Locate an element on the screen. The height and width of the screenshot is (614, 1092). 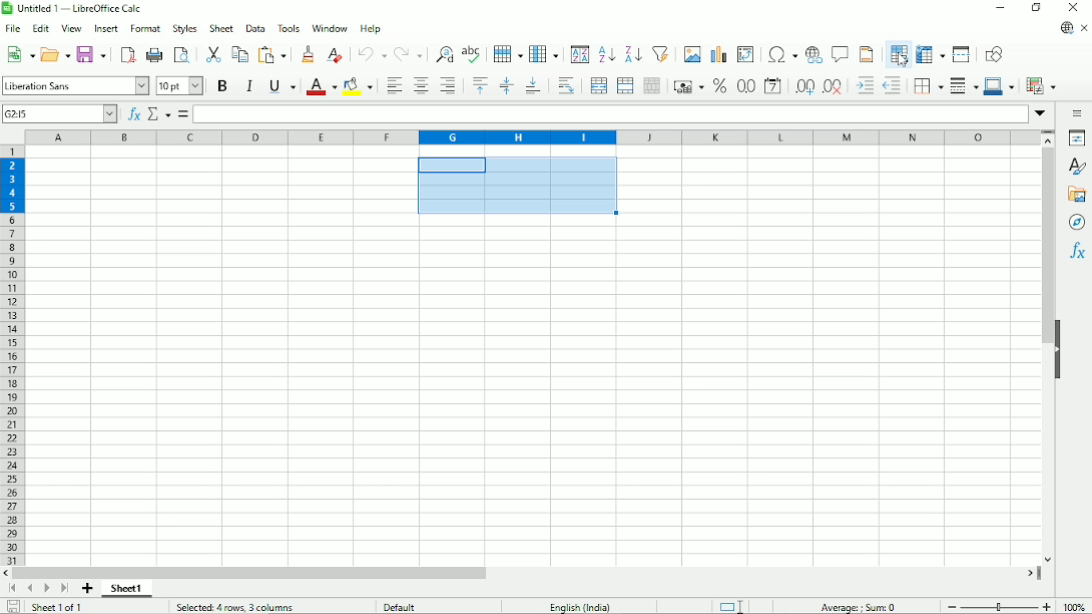
Functions is located at coordinates (1076, 254).